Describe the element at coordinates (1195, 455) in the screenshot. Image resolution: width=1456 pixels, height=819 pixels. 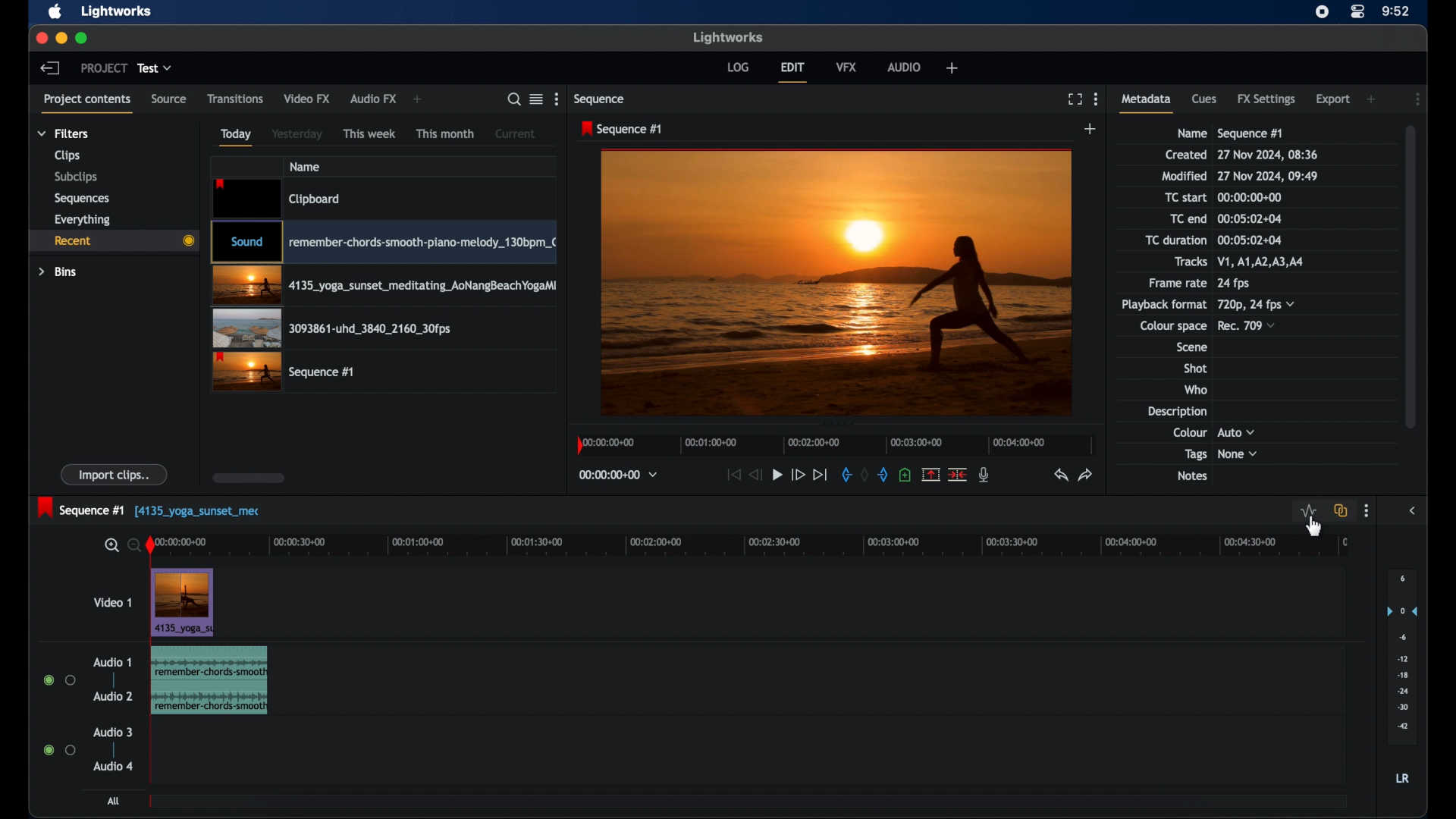
I see `tags` at that location.